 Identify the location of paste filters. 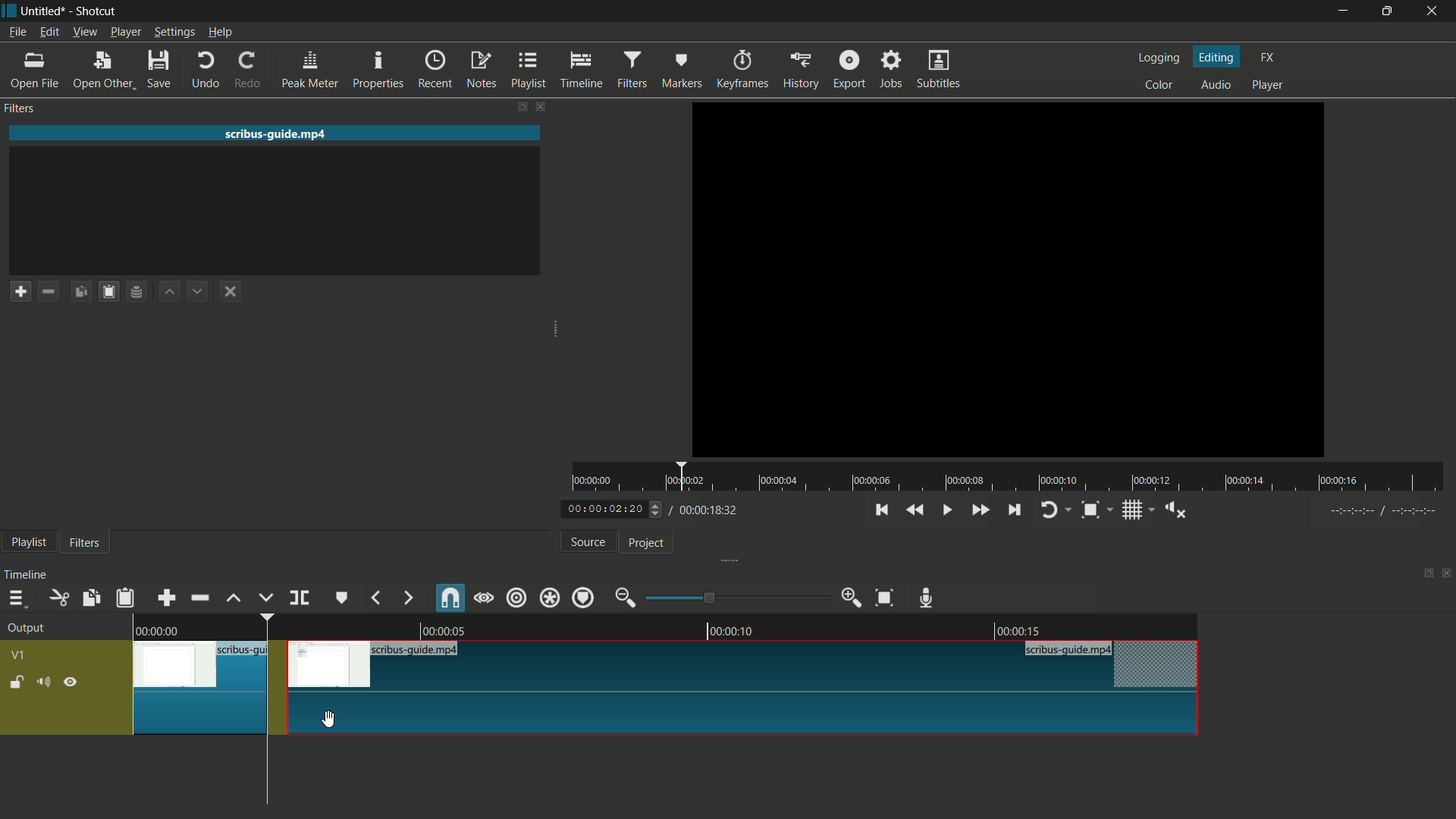
(109, 292).